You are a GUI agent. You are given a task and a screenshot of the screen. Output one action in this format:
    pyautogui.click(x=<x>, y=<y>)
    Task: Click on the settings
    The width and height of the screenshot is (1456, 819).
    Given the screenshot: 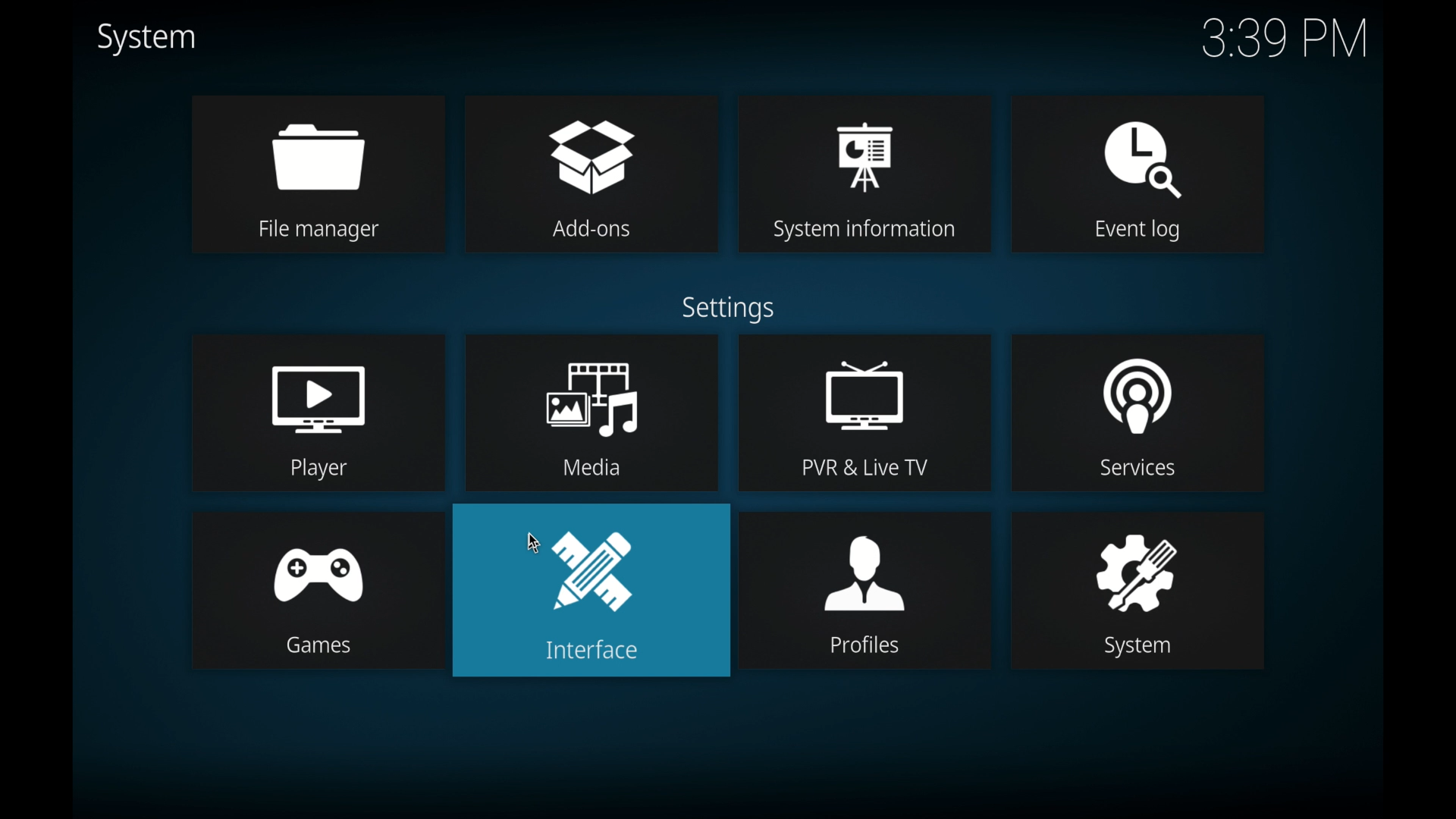 What is the action you would take?
    pyautogui.click(x=728, y=309)
    